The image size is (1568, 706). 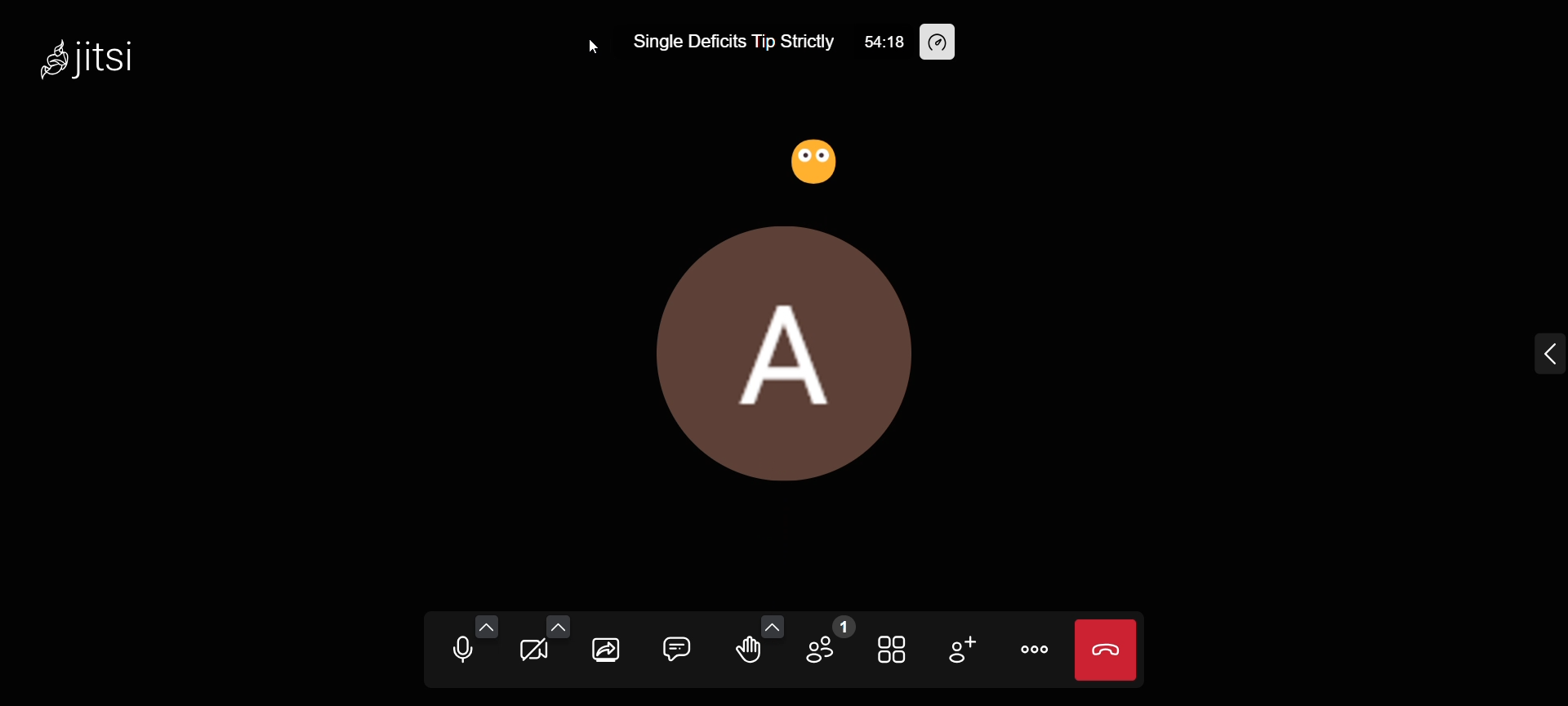 What do you see at coordinates (531, 653) in the screenshot?
I see `start camera` at bounding box center [531, 653].